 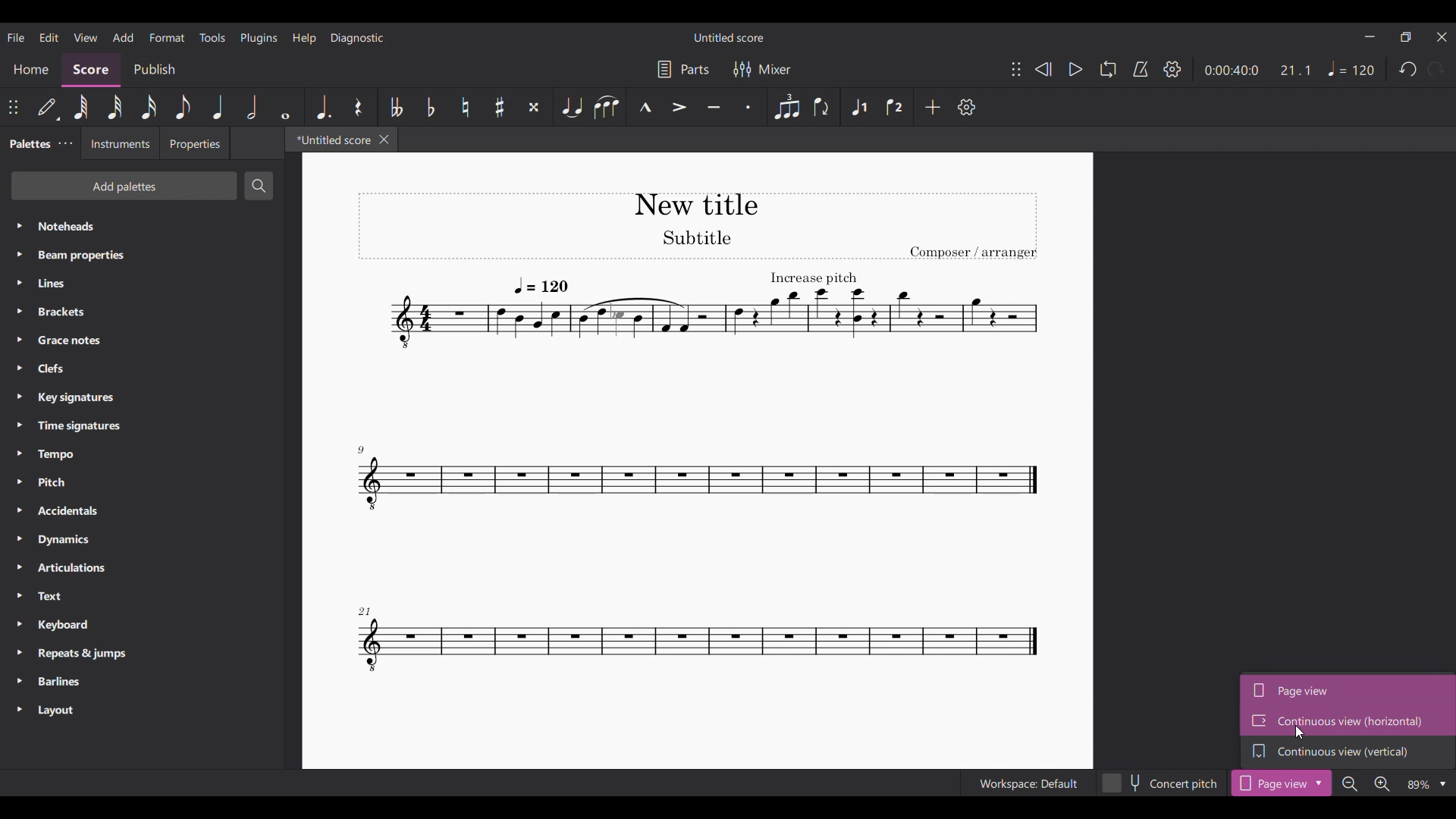 What do you see at coordinates (48, 106) in the screenshot?
I see `Default` at bounding box center [48, 106].